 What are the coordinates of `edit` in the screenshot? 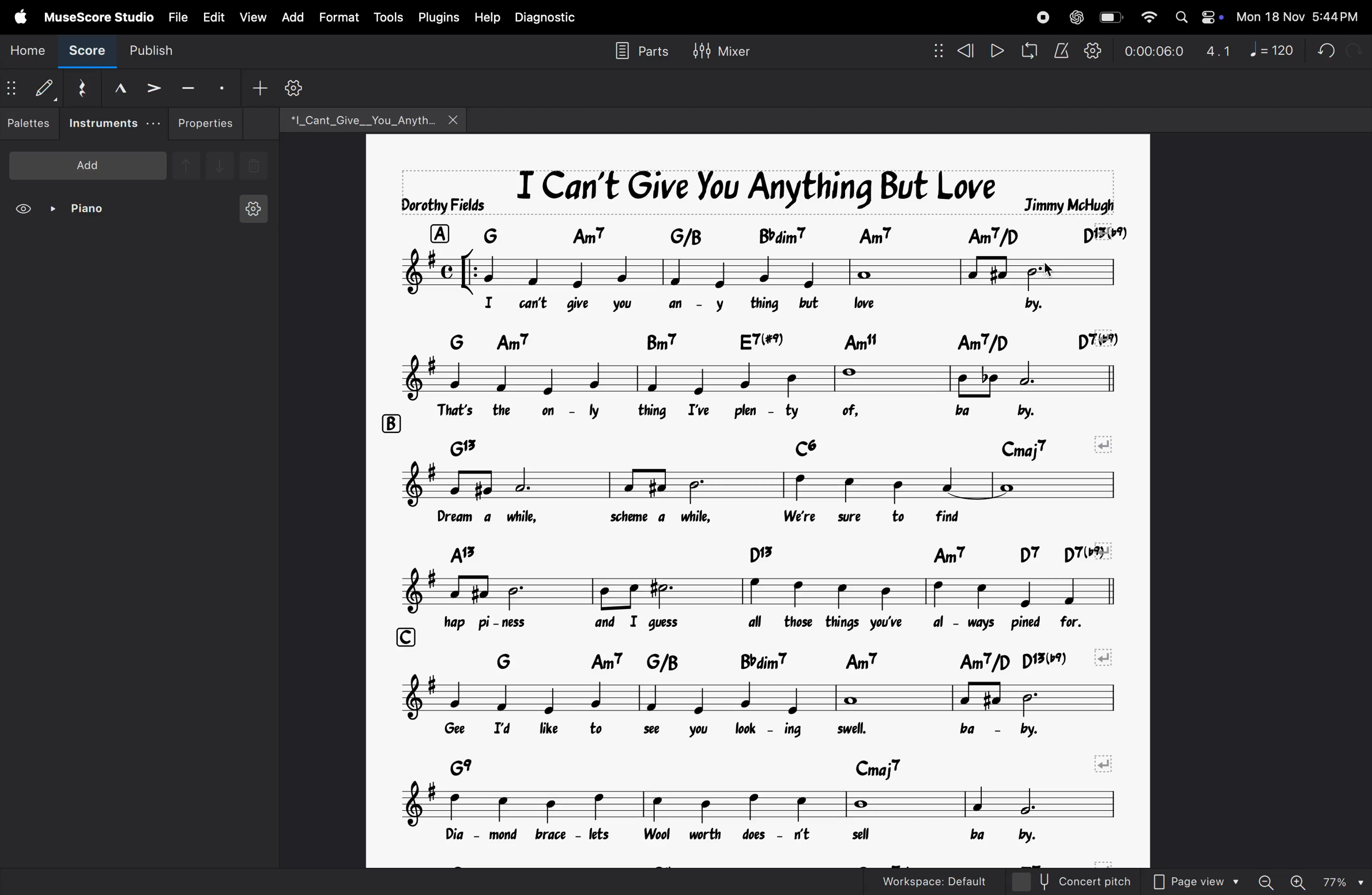 It's located at (213, 17).